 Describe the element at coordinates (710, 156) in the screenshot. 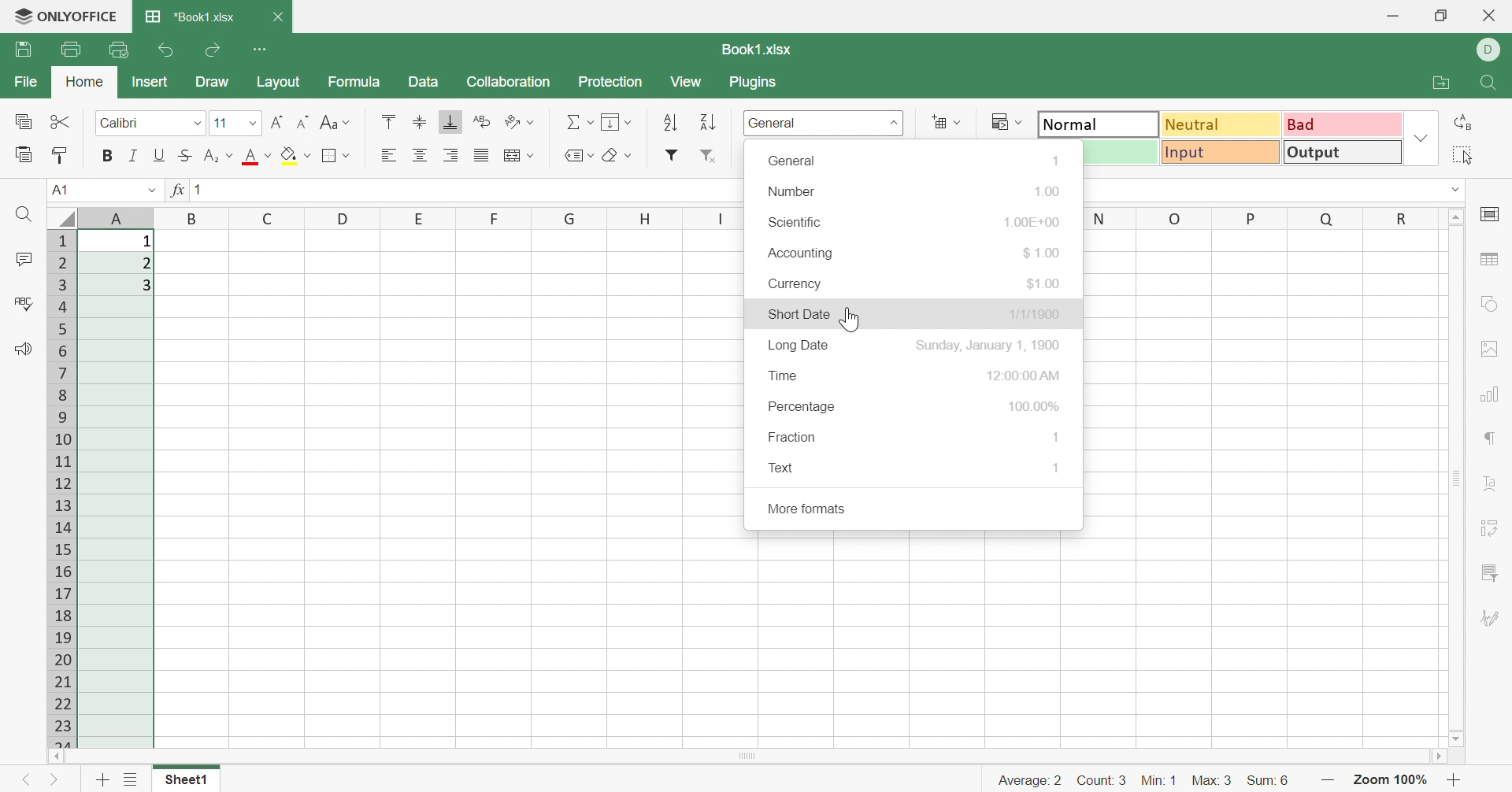

I see `Remove filter` at that location.